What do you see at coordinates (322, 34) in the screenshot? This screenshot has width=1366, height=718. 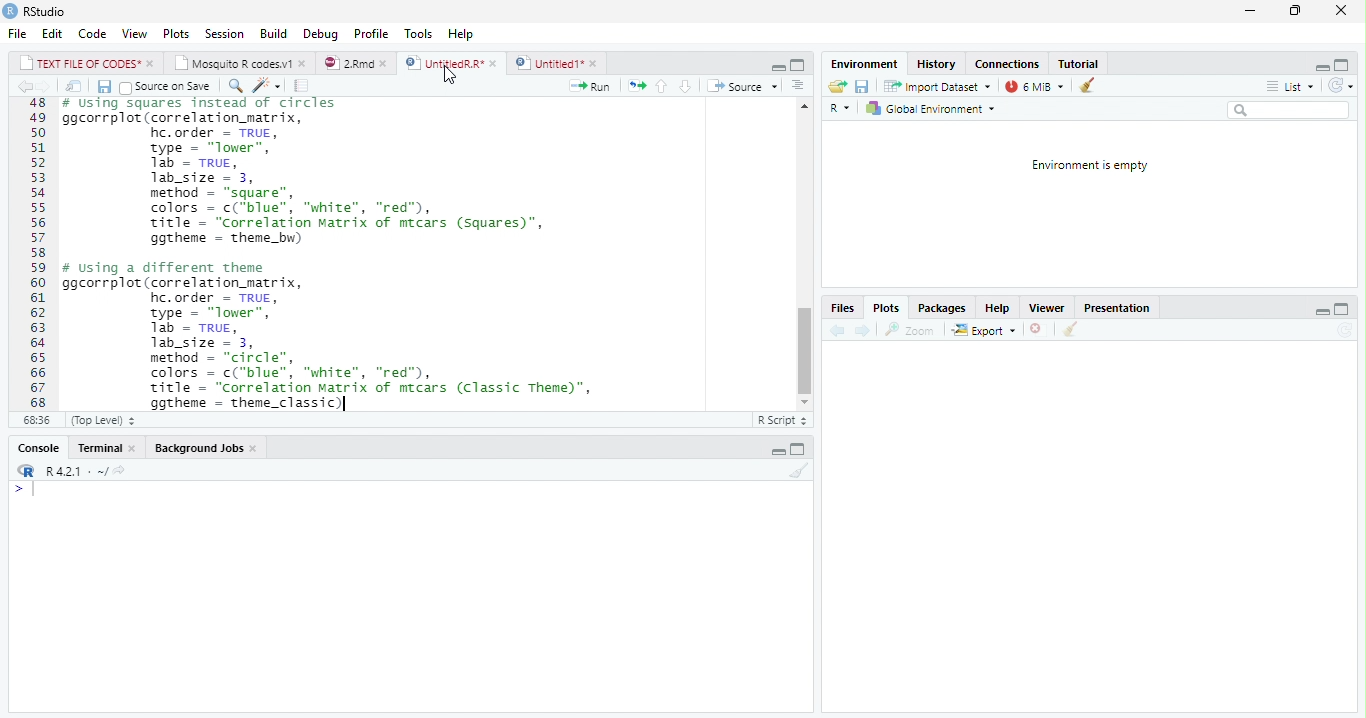 I see `Debug` at bounding box center [322, 34].